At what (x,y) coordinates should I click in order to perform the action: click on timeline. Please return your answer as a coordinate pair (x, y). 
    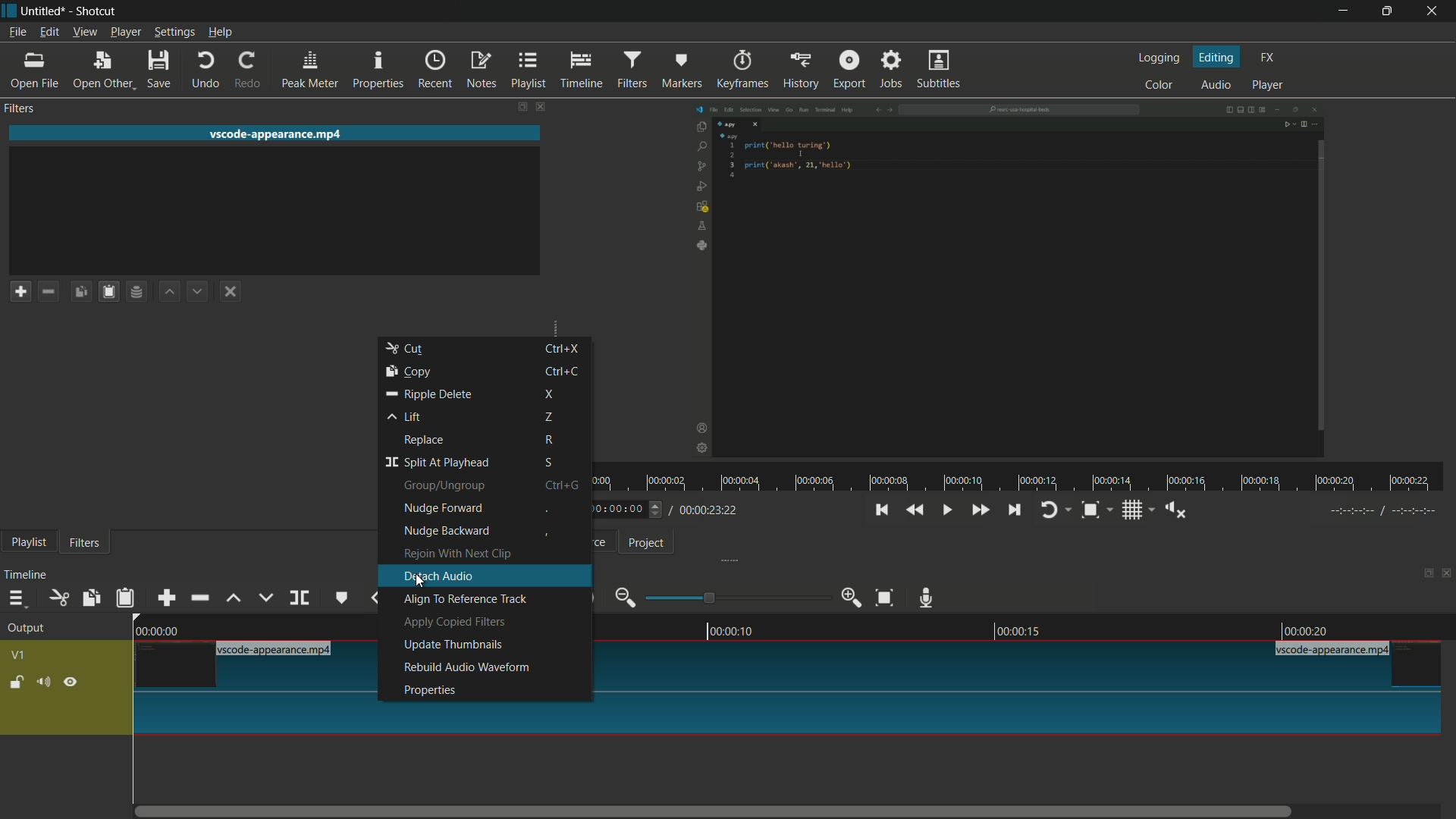
    Looking at the image, I should click on (1024, 629).